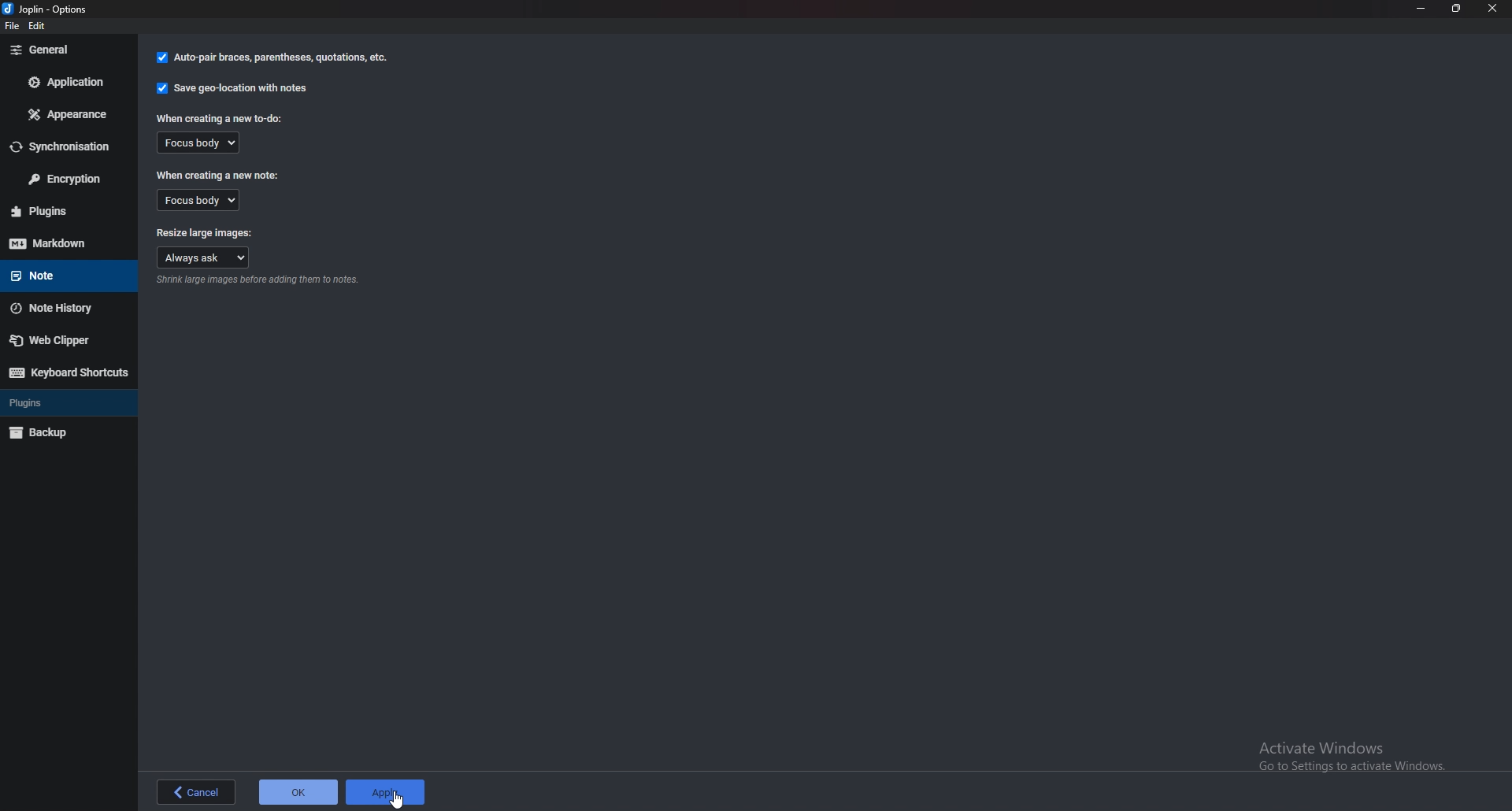 The width and height of the screenshot is (1512, 811). What do you see at coordinates (69, 372) in the screenshot?
I see `Keyboard shortcuts` at bounding box center [69, 372].